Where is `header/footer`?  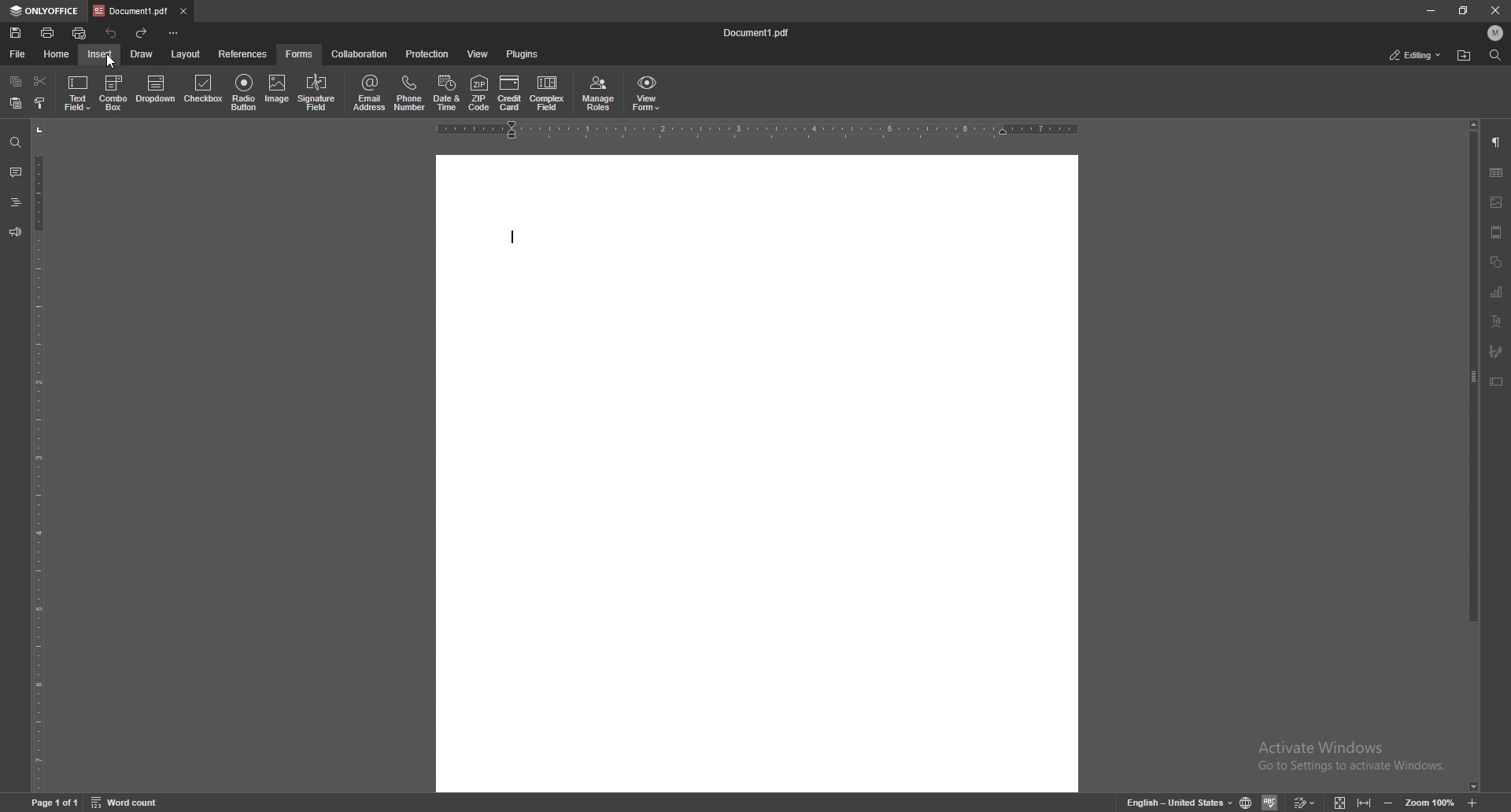 header/footer is located at coordinates (1498, 232).